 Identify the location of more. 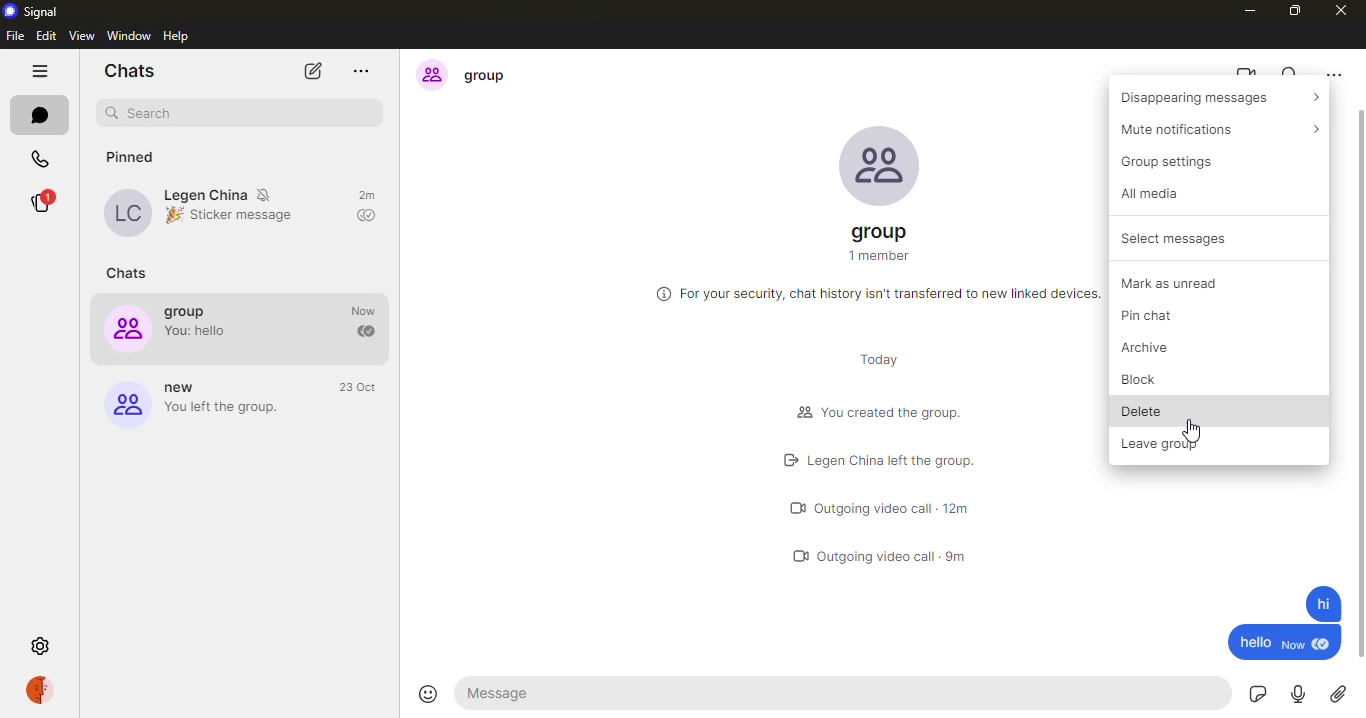
(1336, 73).